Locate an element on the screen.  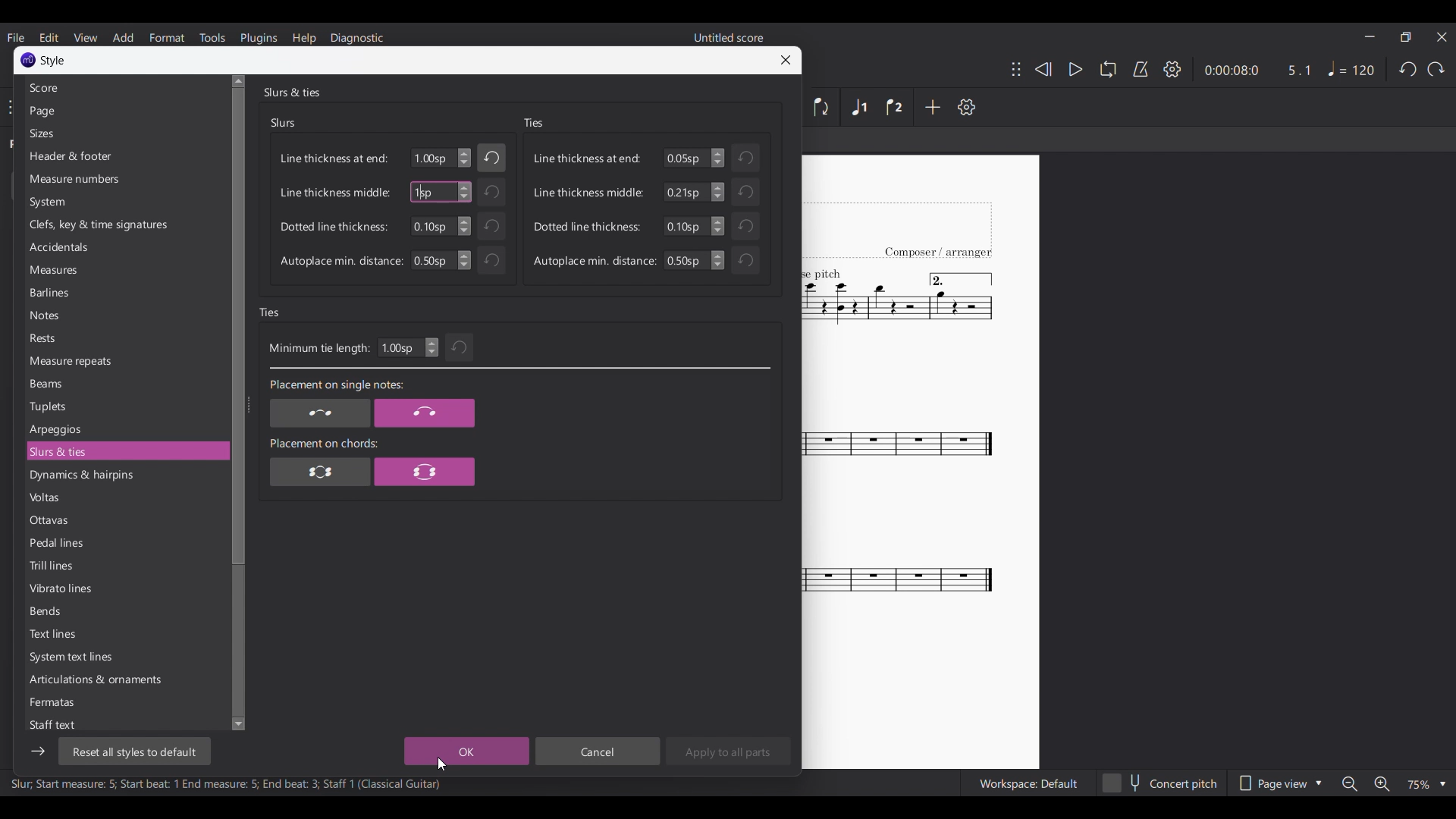
Autoplace min. distance is located at coordinates (341, 262).